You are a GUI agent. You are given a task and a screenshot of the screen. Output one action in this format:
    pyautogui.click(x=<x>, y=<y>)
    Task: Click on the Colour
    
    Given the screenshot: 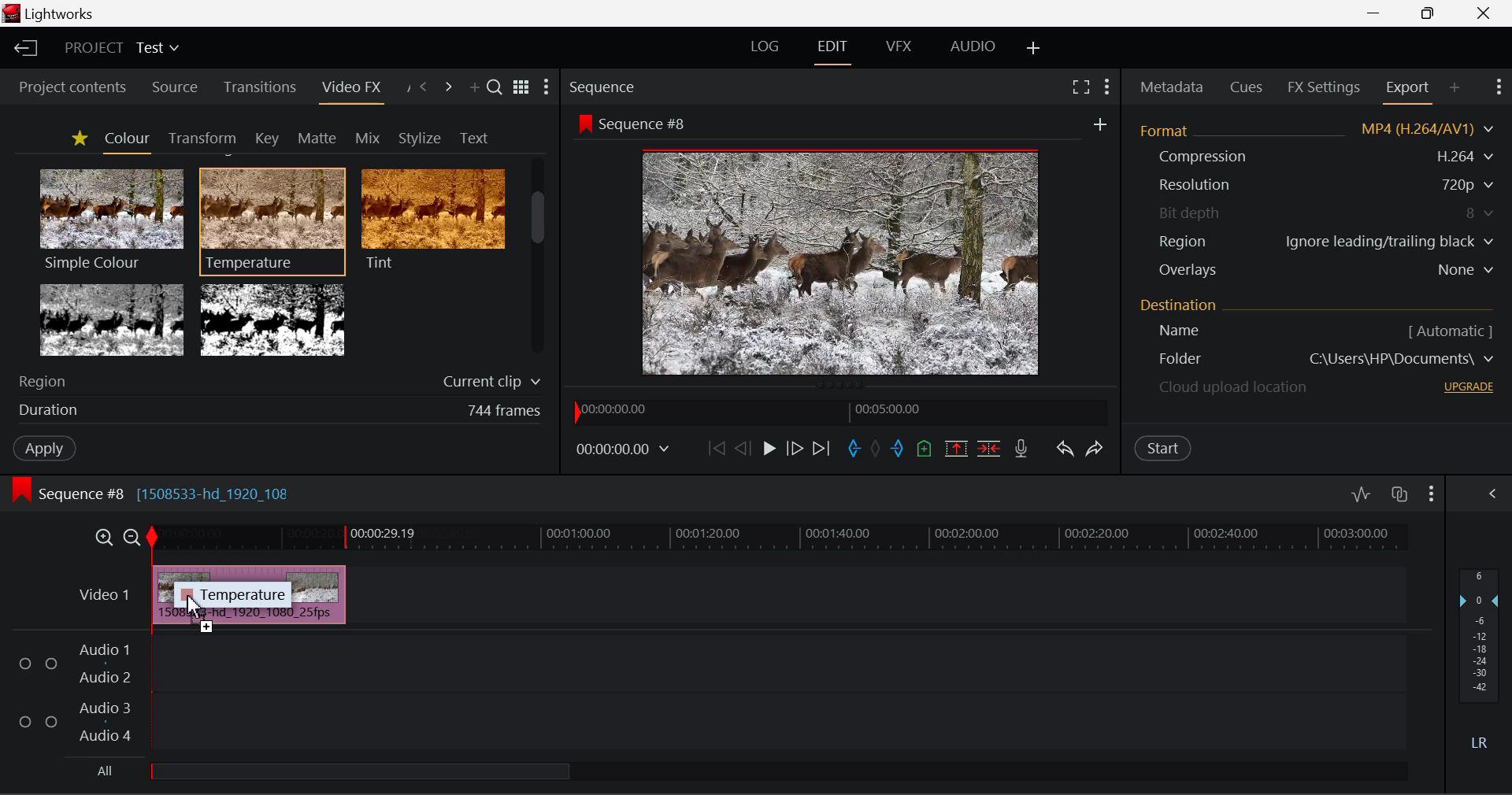 What is the action you would take?
    pyautogui.click(x=124, y=139)
    